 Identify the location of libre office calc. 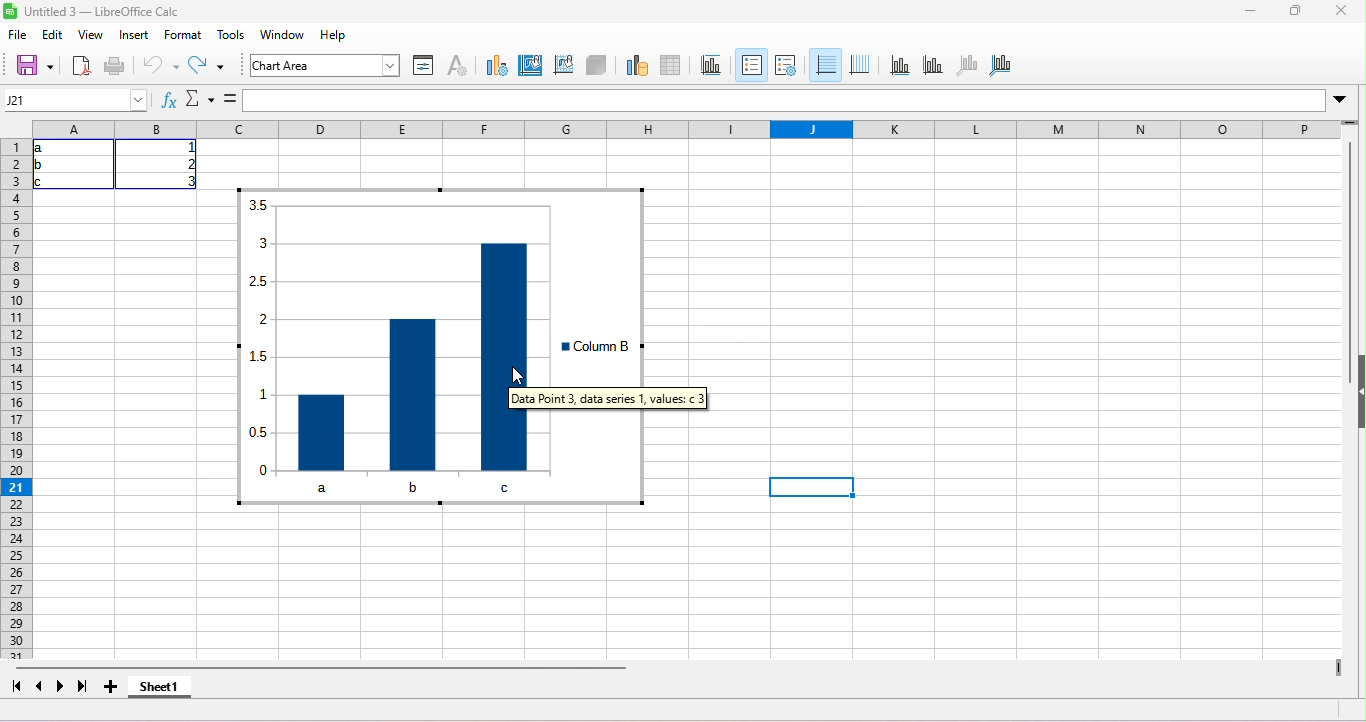
(98, 11).